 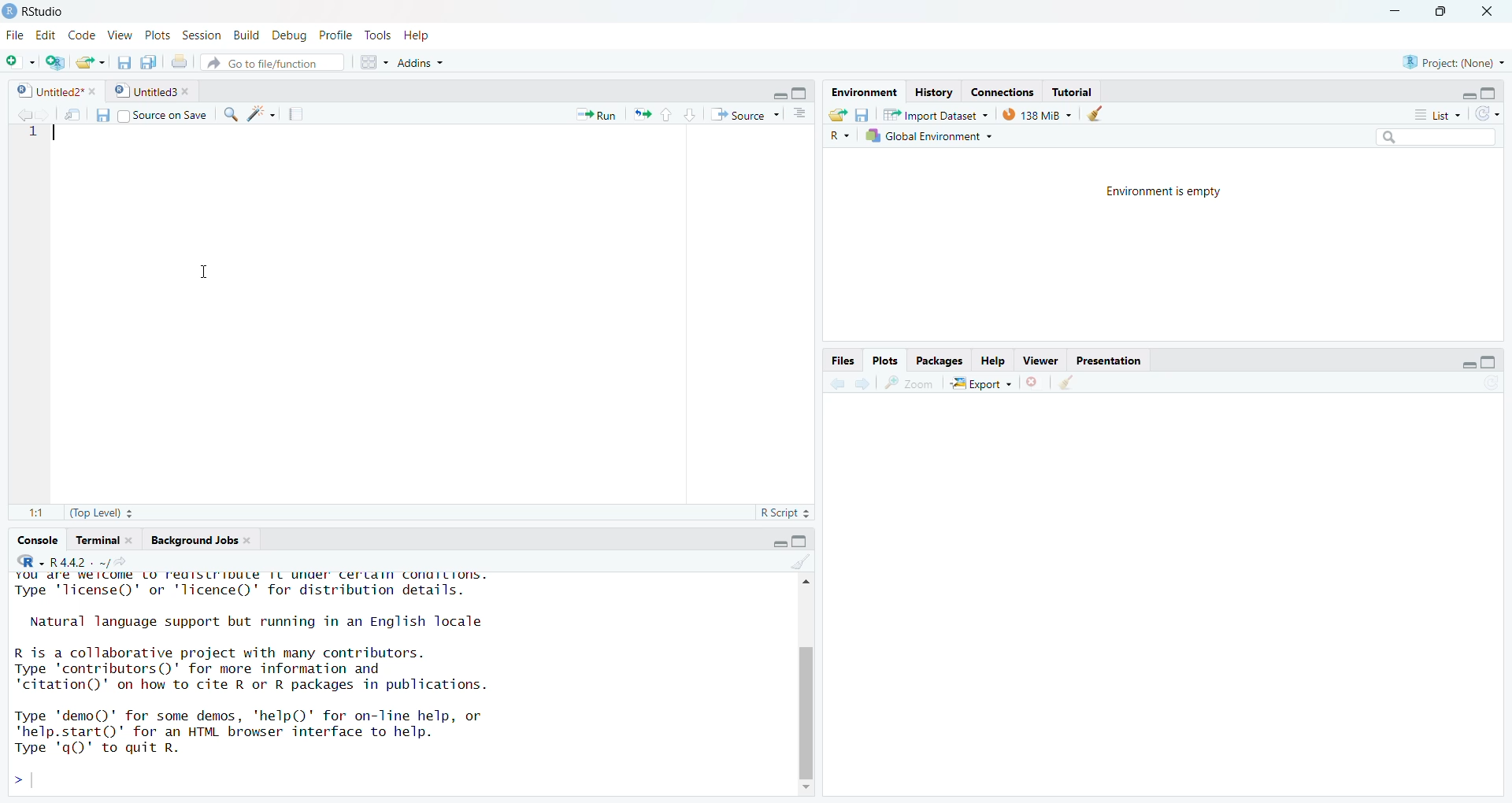 What do you see at coordinates (336, 35) in the screenshot?
I see `Profile` at bounding box center [336, 35].